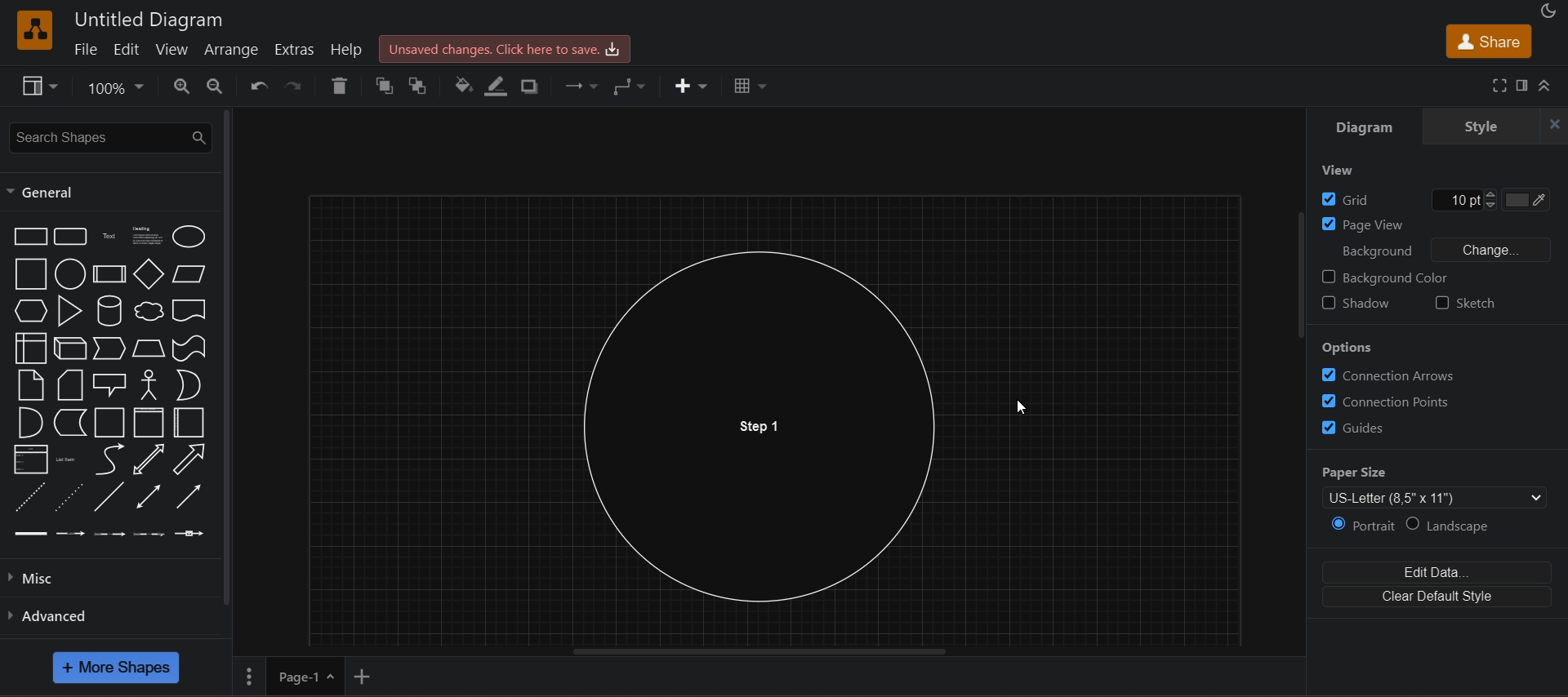 The height and width of the screenshot is (697, 1568). What do you see at coordinates (112, 311) in the screenshot?
I see `cylinder` at bounding box center [112, 311].